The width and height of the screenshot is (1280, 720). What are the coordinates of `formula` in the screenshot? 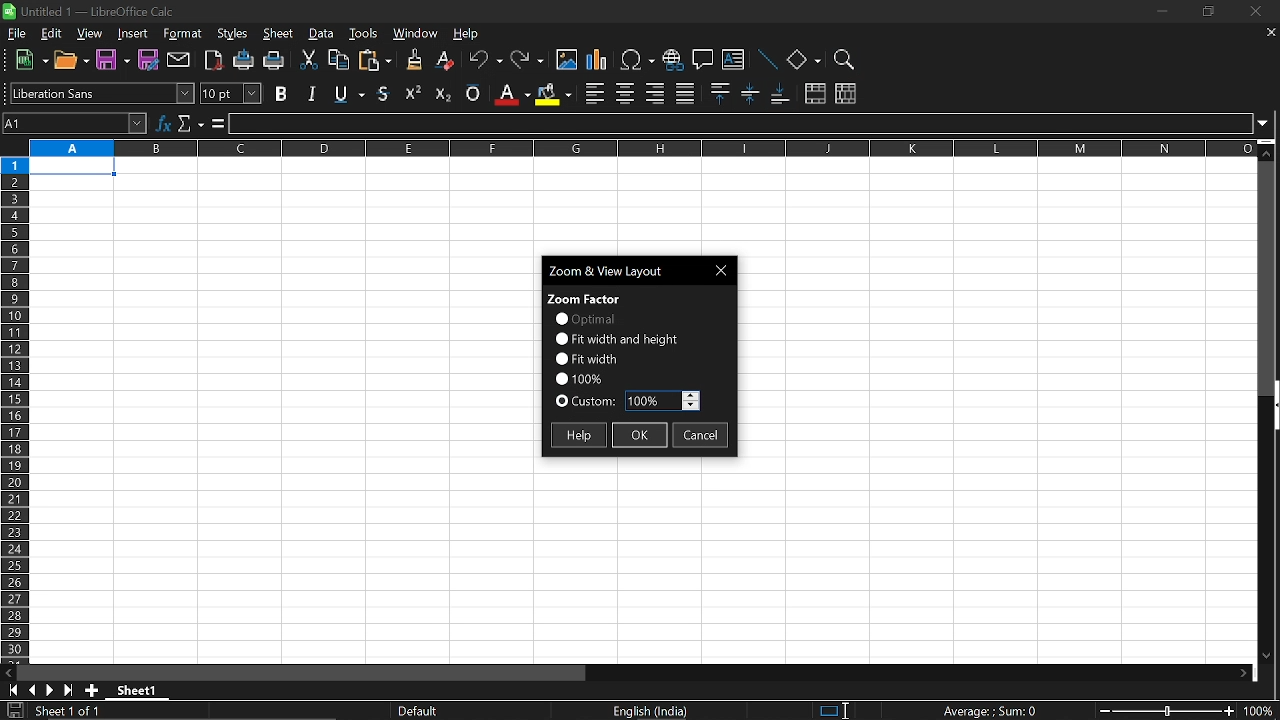 It's located at (216, 124).